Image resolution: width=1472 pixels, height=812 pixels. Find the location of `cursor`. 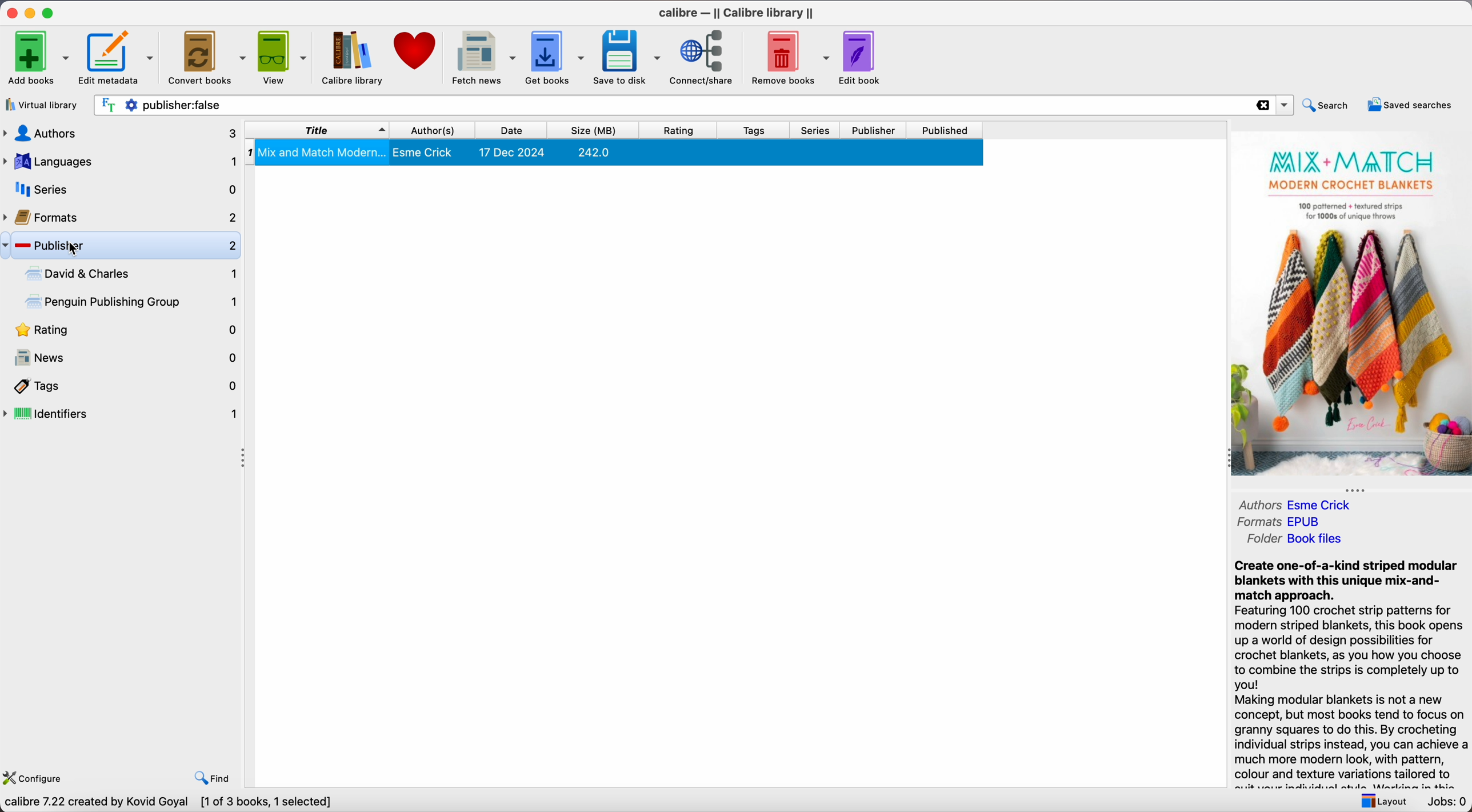

cursor is located at coordinates (72, 249).